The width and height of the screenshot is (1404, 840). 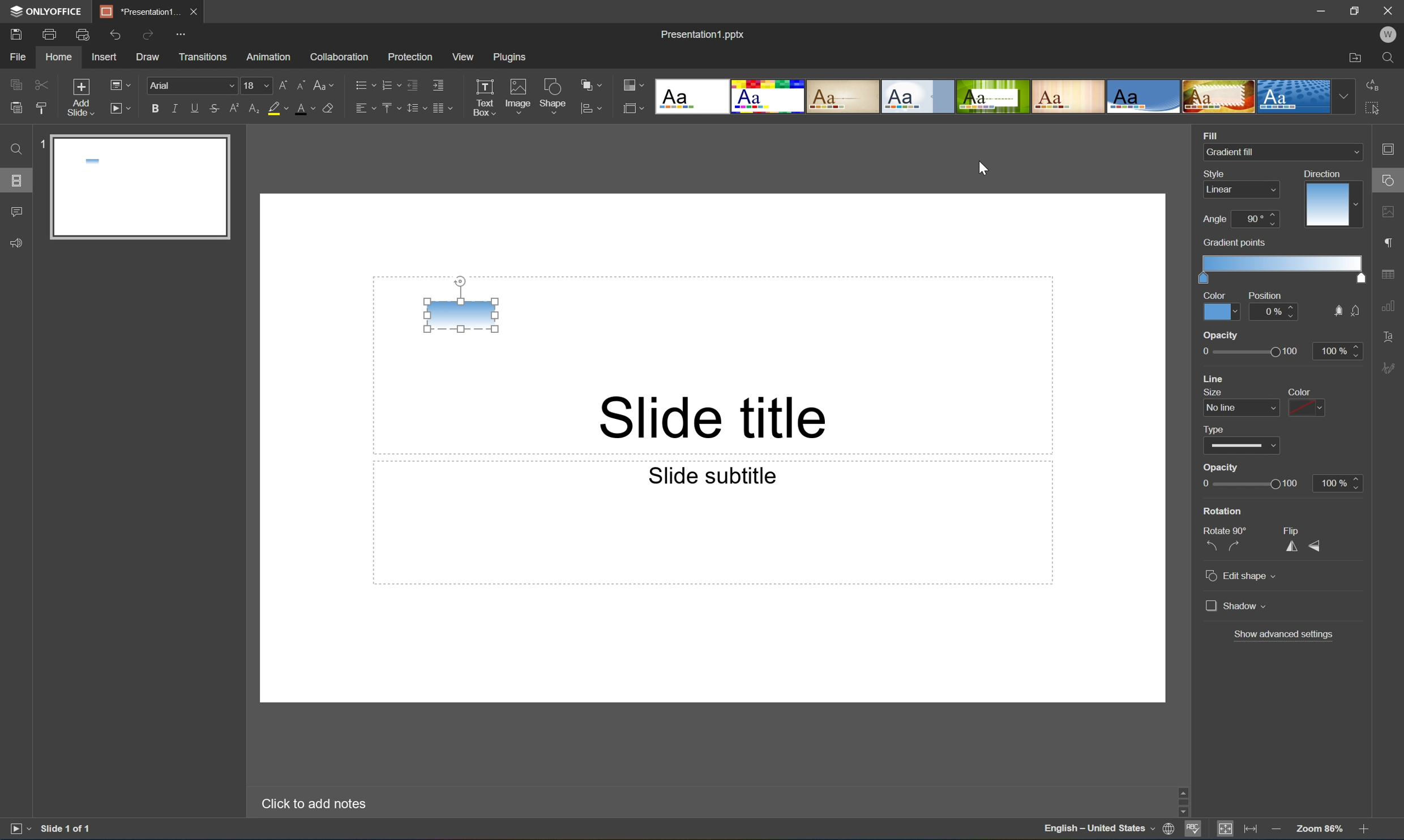 I want to click on Rotation, so click(x=1223, y=511).